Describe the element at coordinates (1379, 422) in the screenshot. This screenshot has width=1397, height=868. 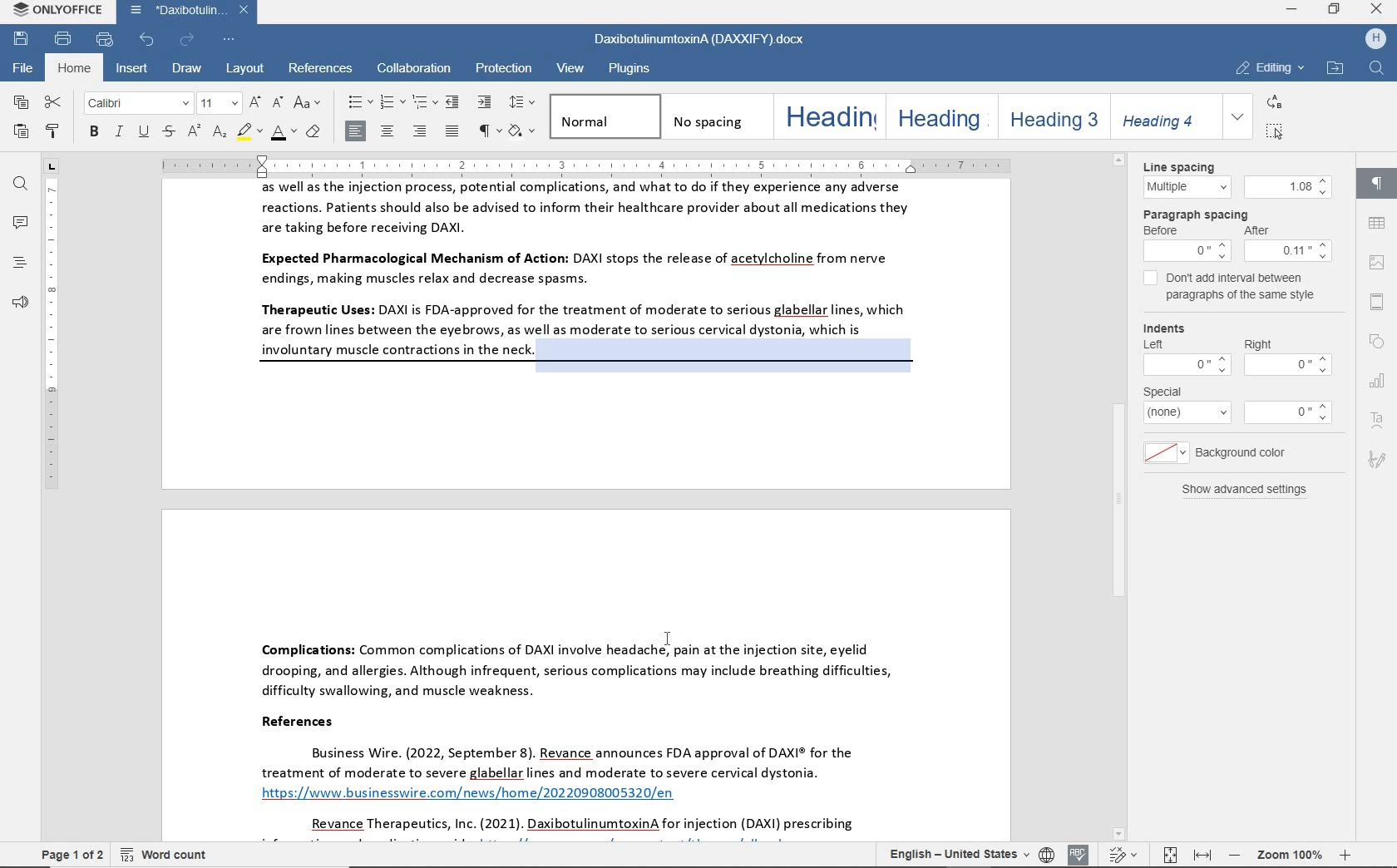
I see `text art` at that location.